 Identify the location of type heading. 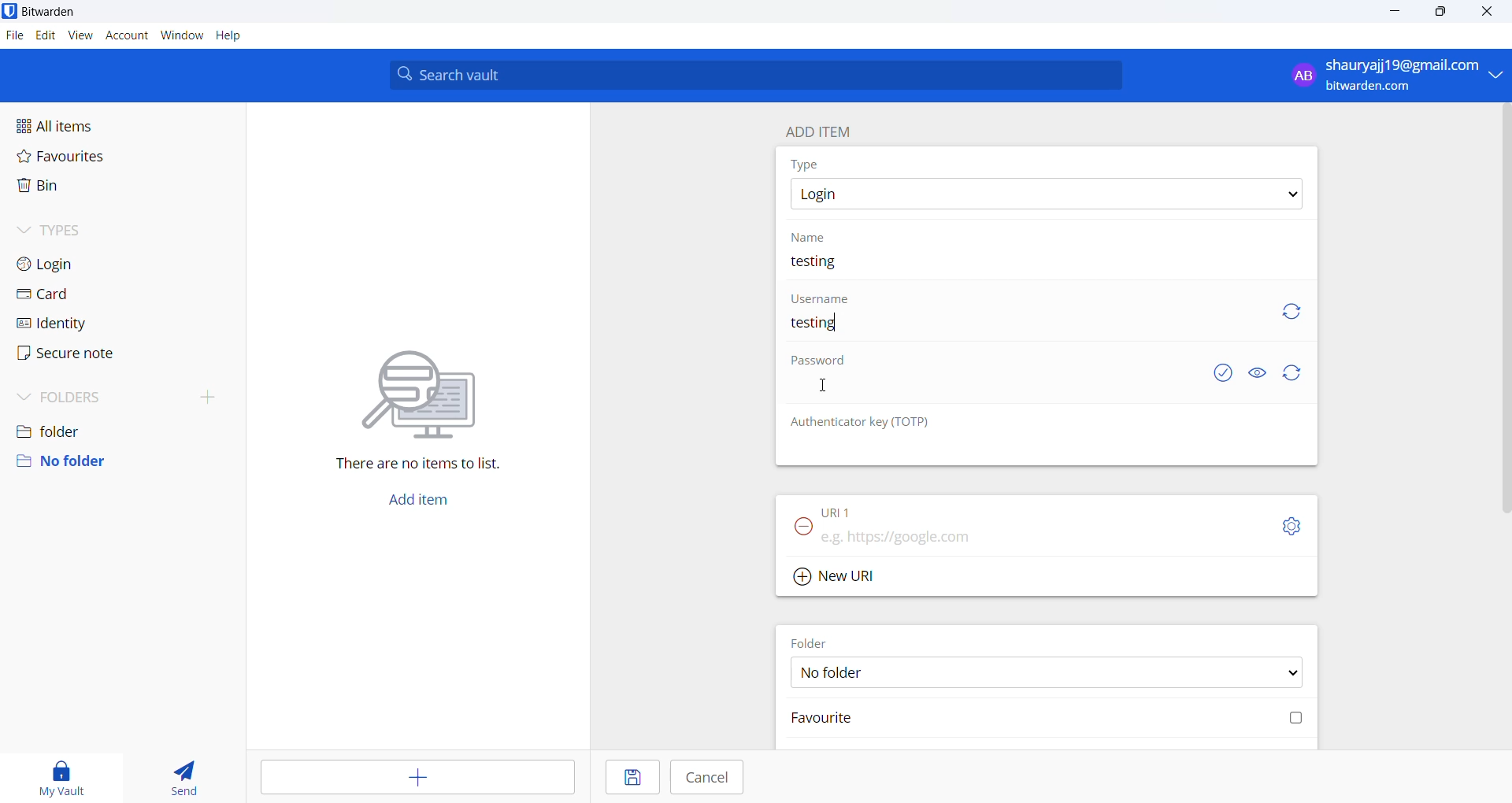
(806, 164).